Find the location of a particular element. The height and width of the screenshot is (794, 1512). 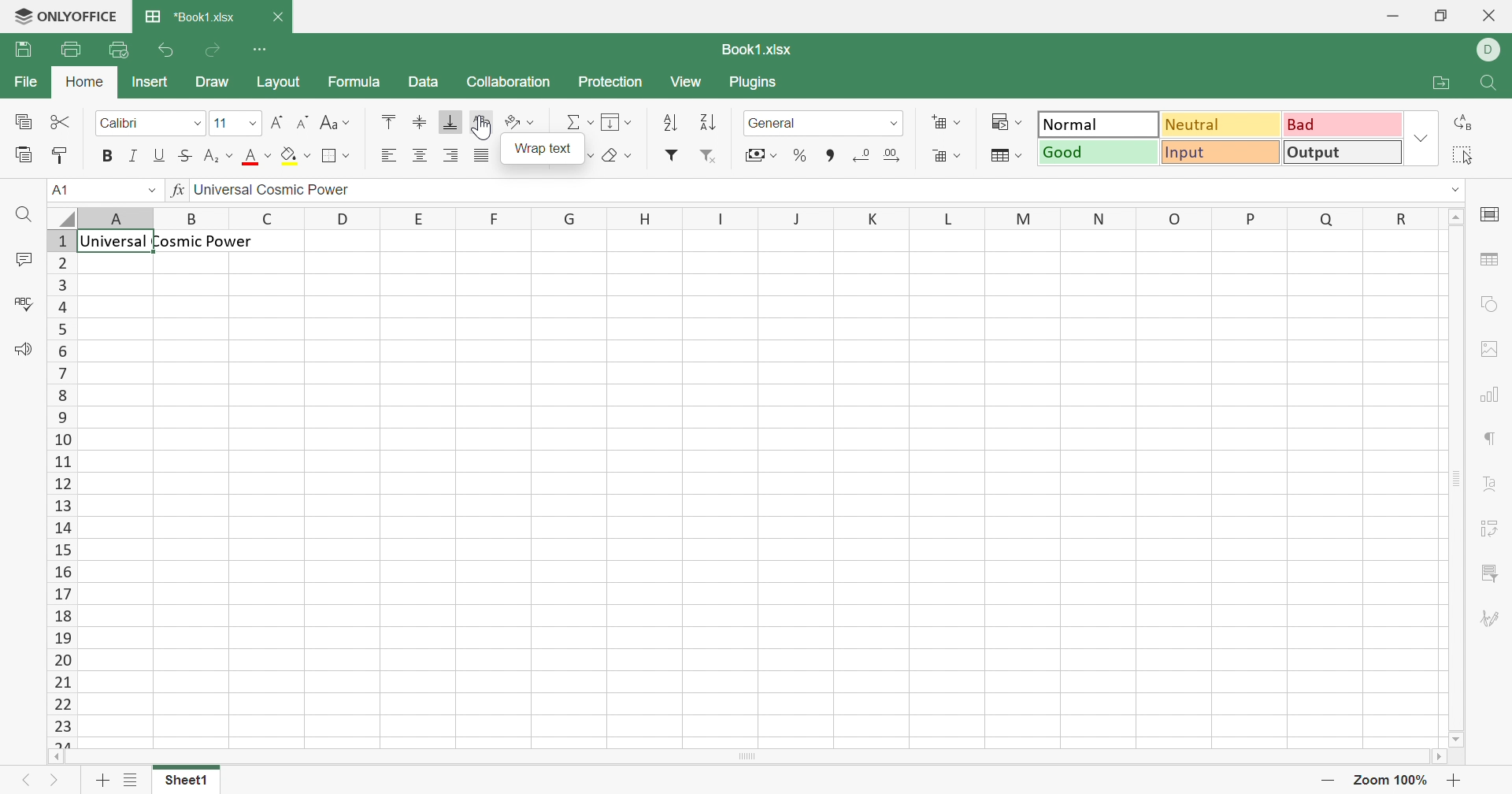

Wrap Text is located at coordinates (546, 152).